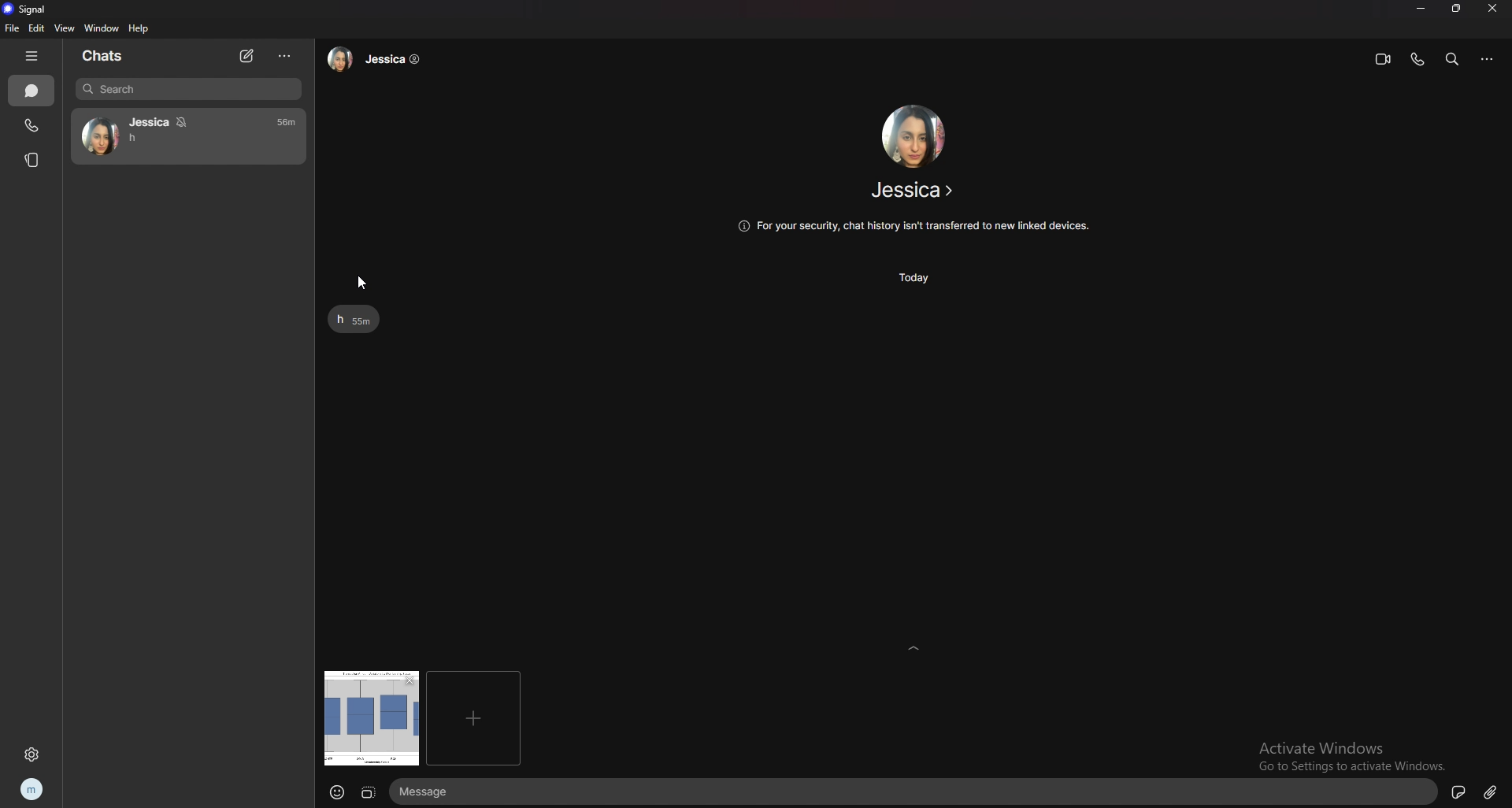 The width and height of the screenshot is (1512, 808). Describe the element at coordinates (1493, 791) in the screenshot. I see `attachment` at that location.